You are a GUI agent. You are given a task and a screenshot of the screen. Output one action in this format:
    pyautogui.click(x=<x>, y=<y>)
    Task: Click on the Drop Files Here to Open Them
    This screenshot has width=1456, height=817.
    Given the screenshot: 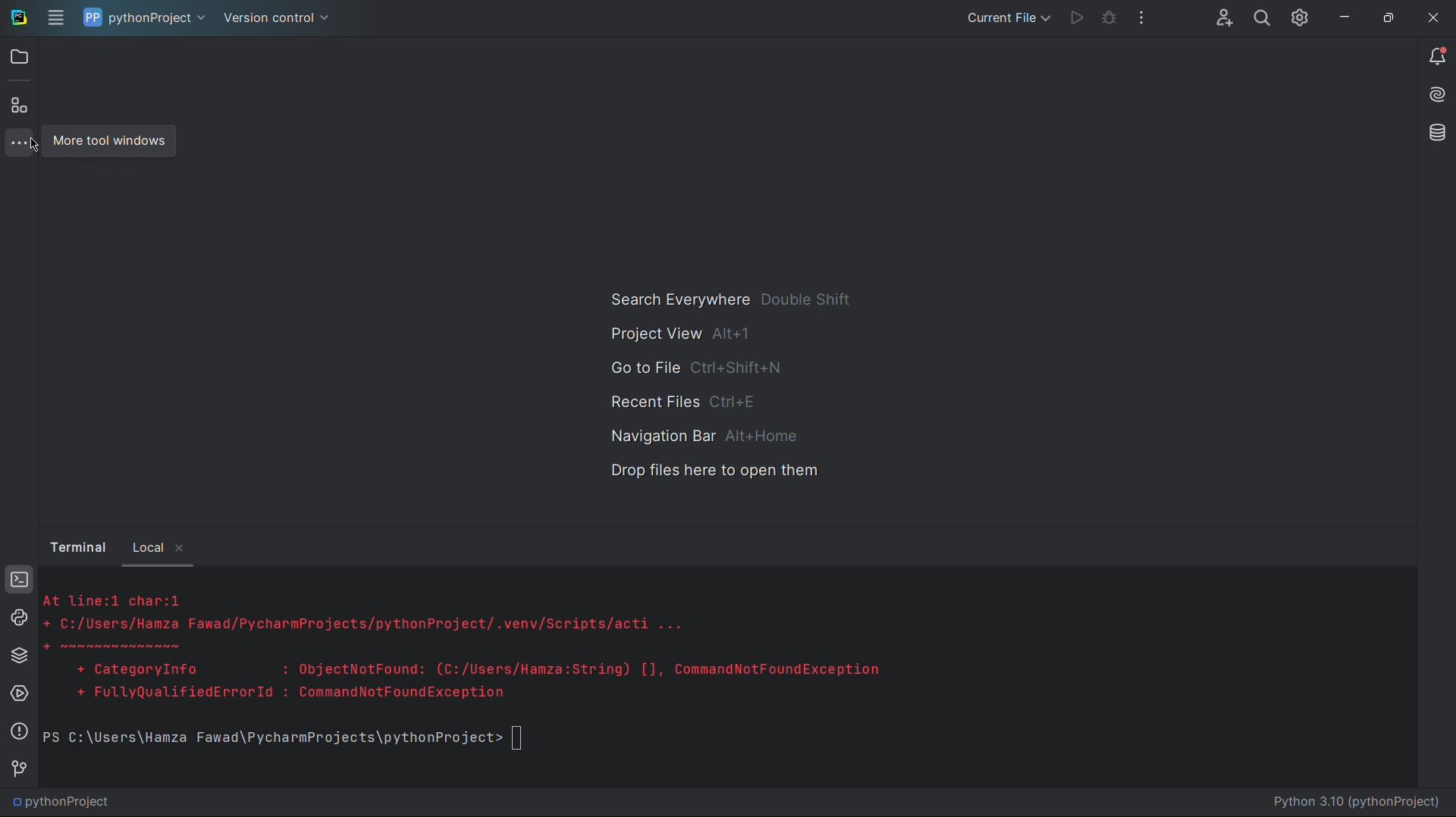 What is the action you would take?
    pyautogui.click(x=708, y=475)
    